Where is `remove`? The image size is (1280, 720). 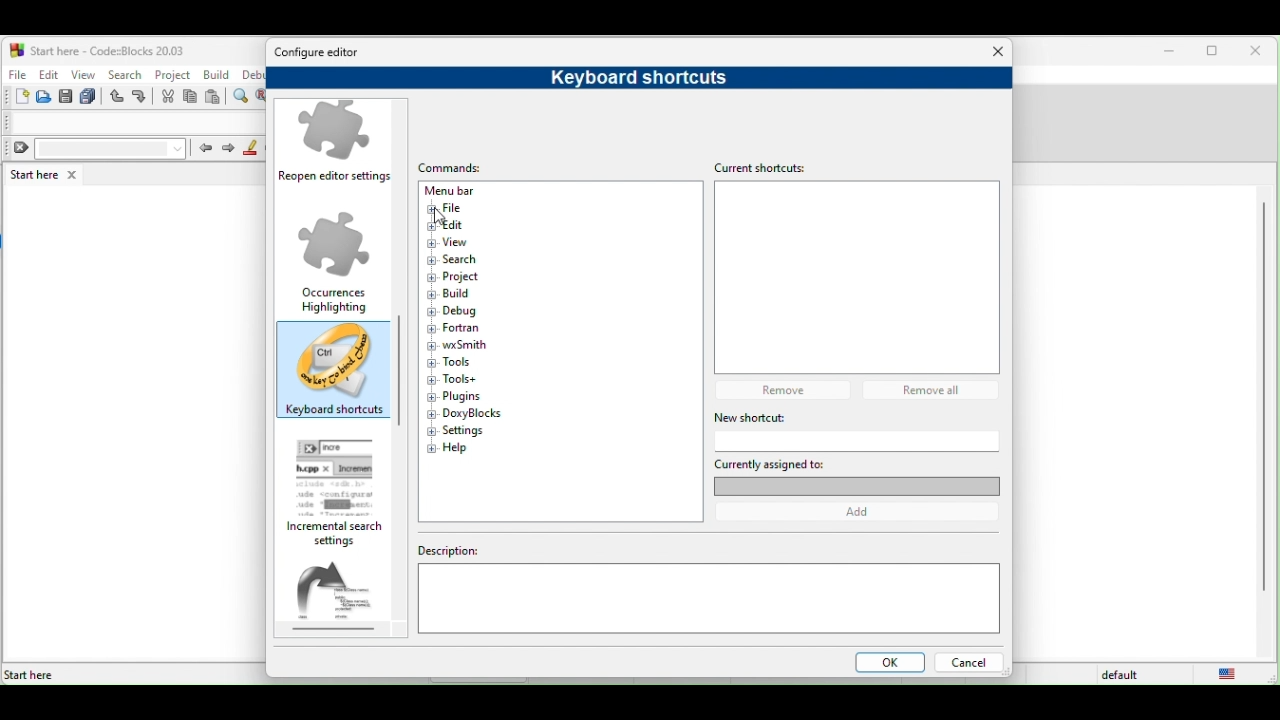 remove is located at coordinates (788, 389).